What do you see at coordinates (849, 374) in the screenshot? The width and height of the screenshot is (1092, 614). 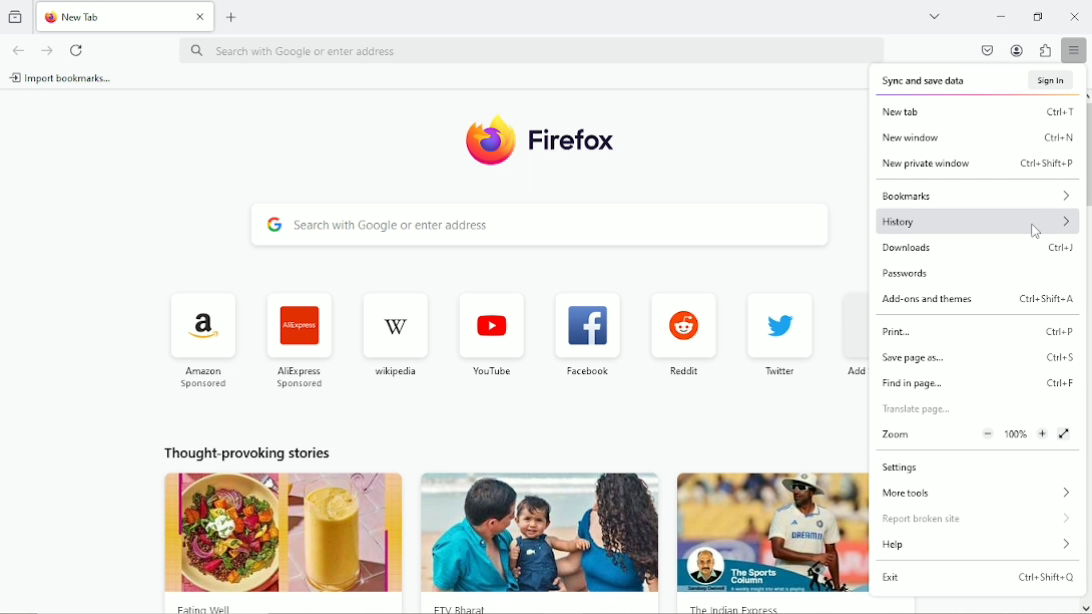 I see `Add shortcut` at bounding box center [849, 374].